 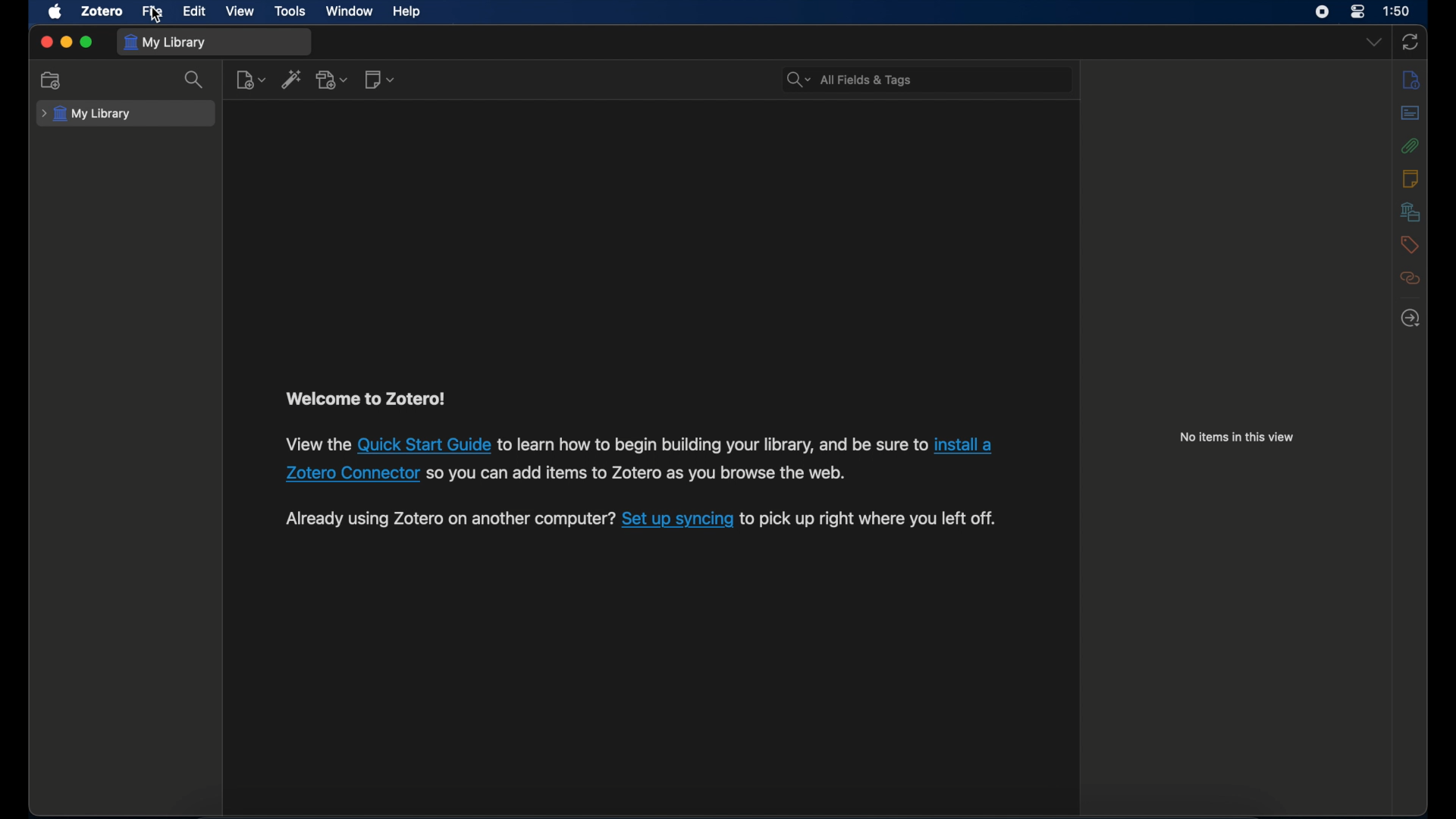 I want to click on new note, so click(x=379, y=80).